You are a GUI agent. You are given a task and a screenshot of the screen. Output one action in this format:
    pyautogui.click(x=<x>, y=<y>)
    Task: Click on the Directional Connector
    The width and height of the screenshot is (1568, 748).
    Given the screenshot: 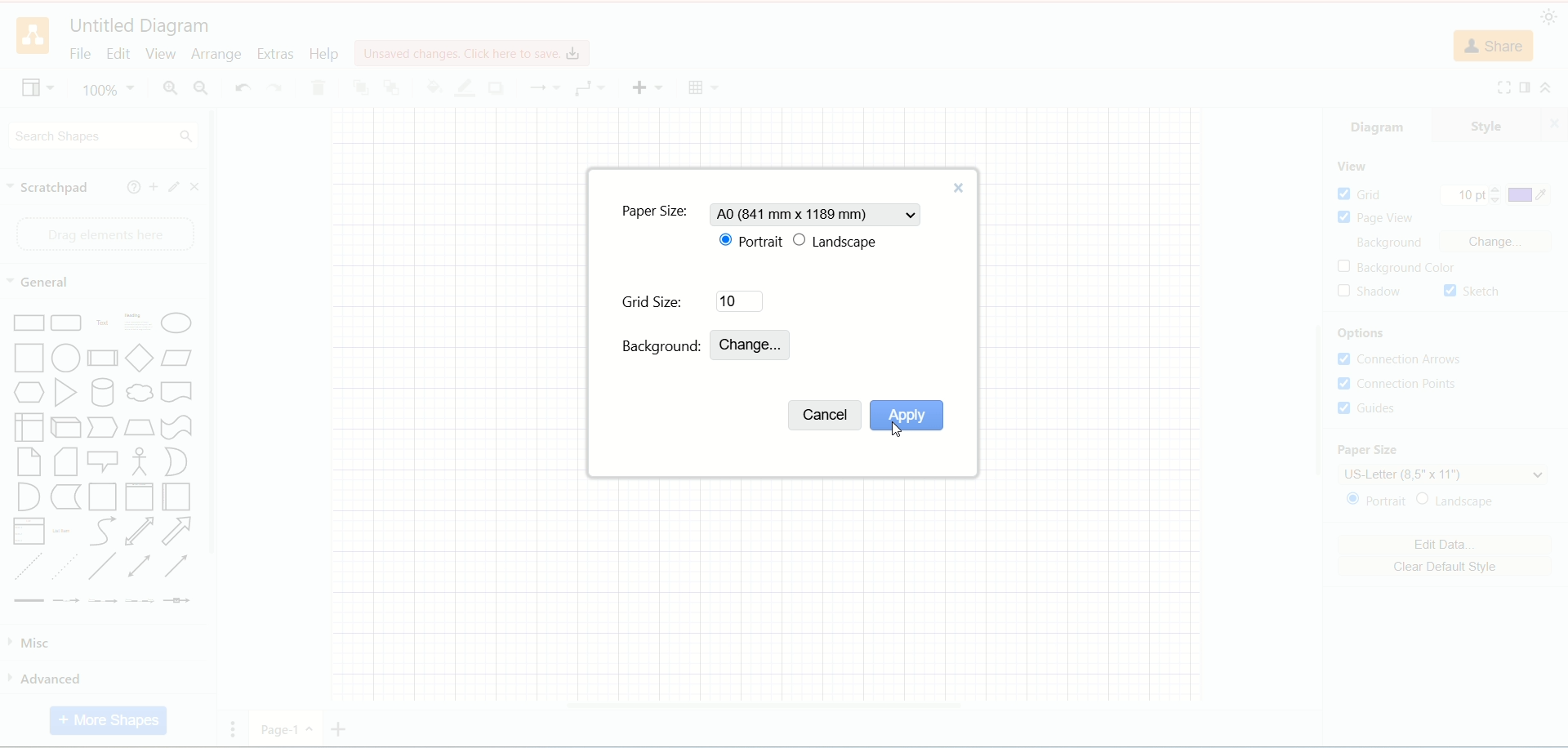 What is the action you would take?
    pyautogui.click(x=177, y=567)
    